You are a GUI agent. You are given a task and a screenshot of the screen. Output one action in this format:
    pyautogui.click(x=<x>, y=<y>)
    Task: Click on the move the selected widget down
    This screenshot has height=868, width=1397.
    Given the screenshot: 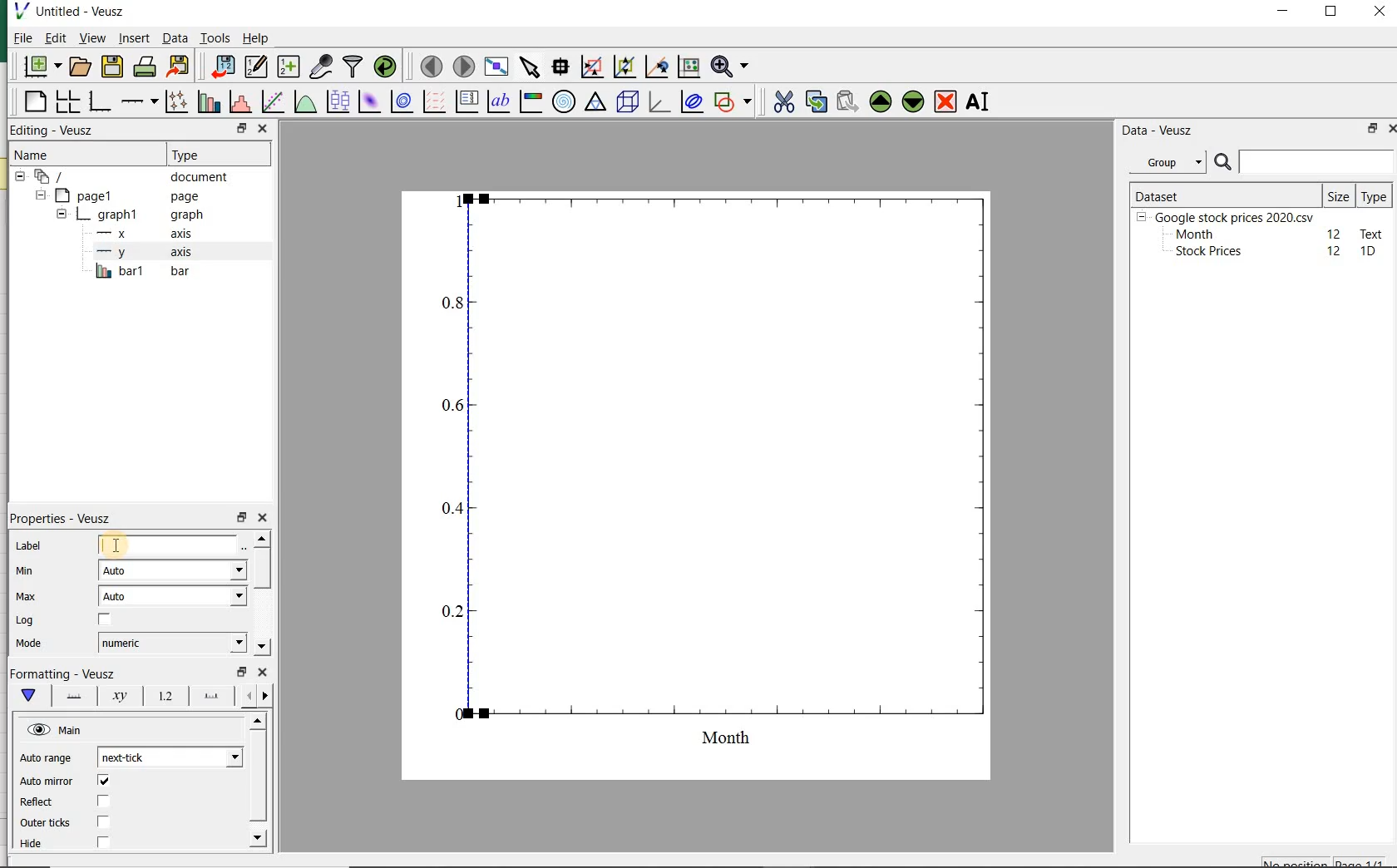 What is the action you would take?
    pyautogui.click(x=913, y=101)
    